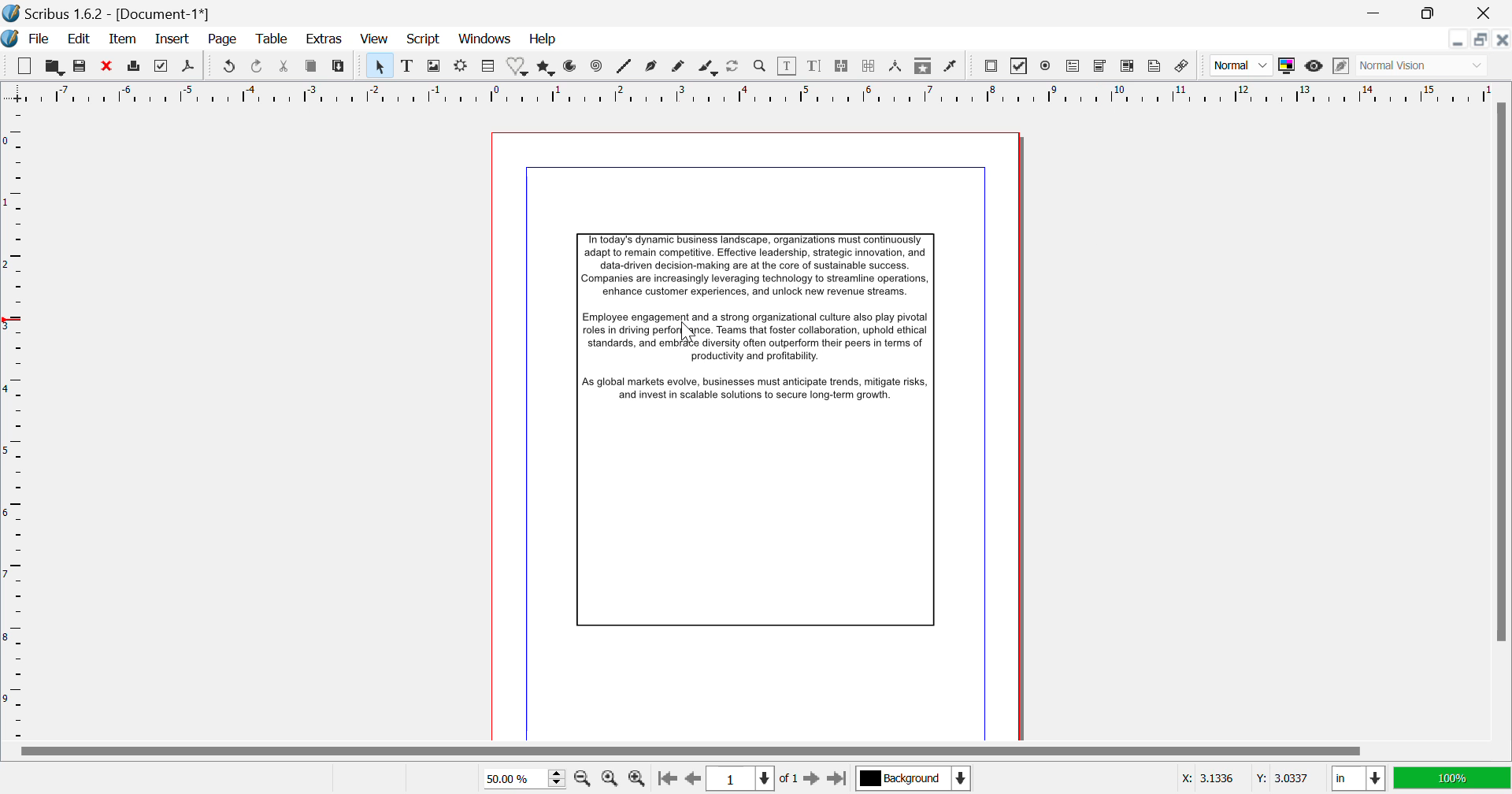 This screenshot has height=794, width=1512. Describe the element at coordinates (165, 66) in the screenshot. I see `Preflight Verifier` at that location.